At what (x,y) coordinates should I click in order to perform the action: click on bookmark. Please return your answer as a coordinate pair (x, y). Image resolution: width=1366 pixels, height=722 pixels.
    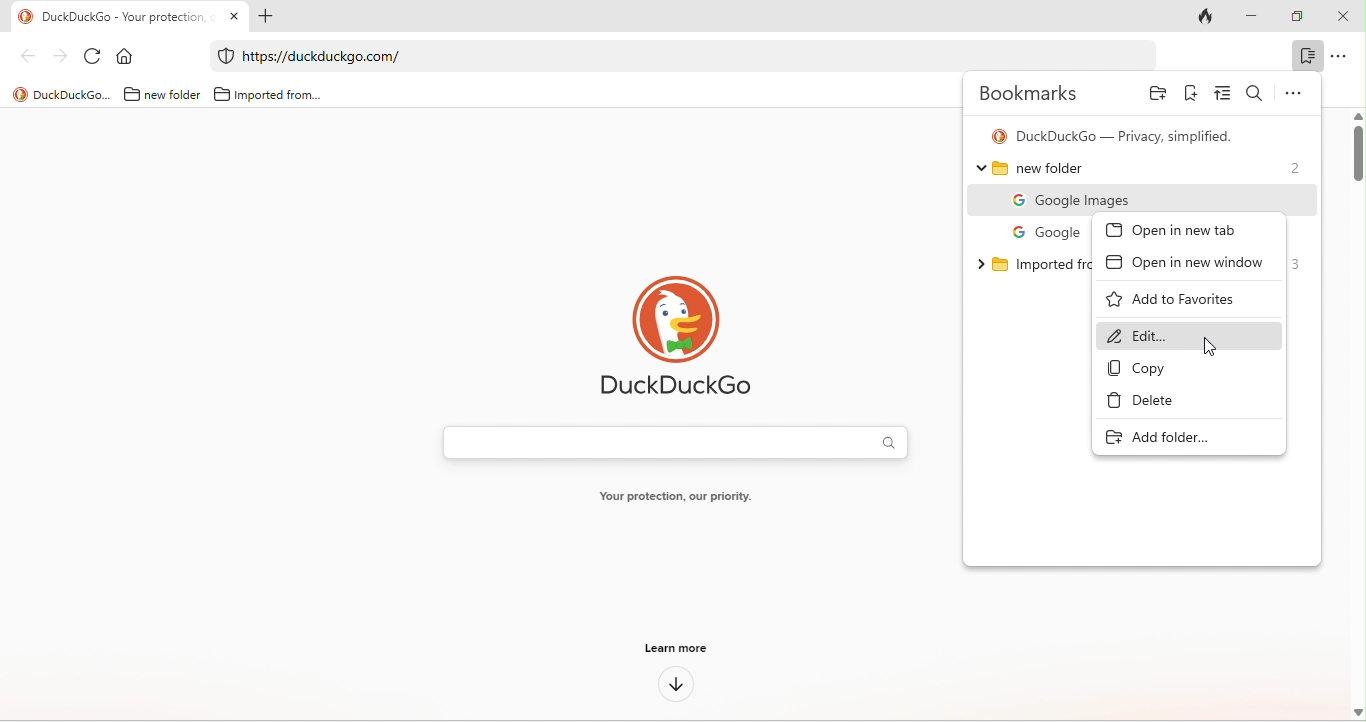
    Looking at the image, I should click on (1305, 58).